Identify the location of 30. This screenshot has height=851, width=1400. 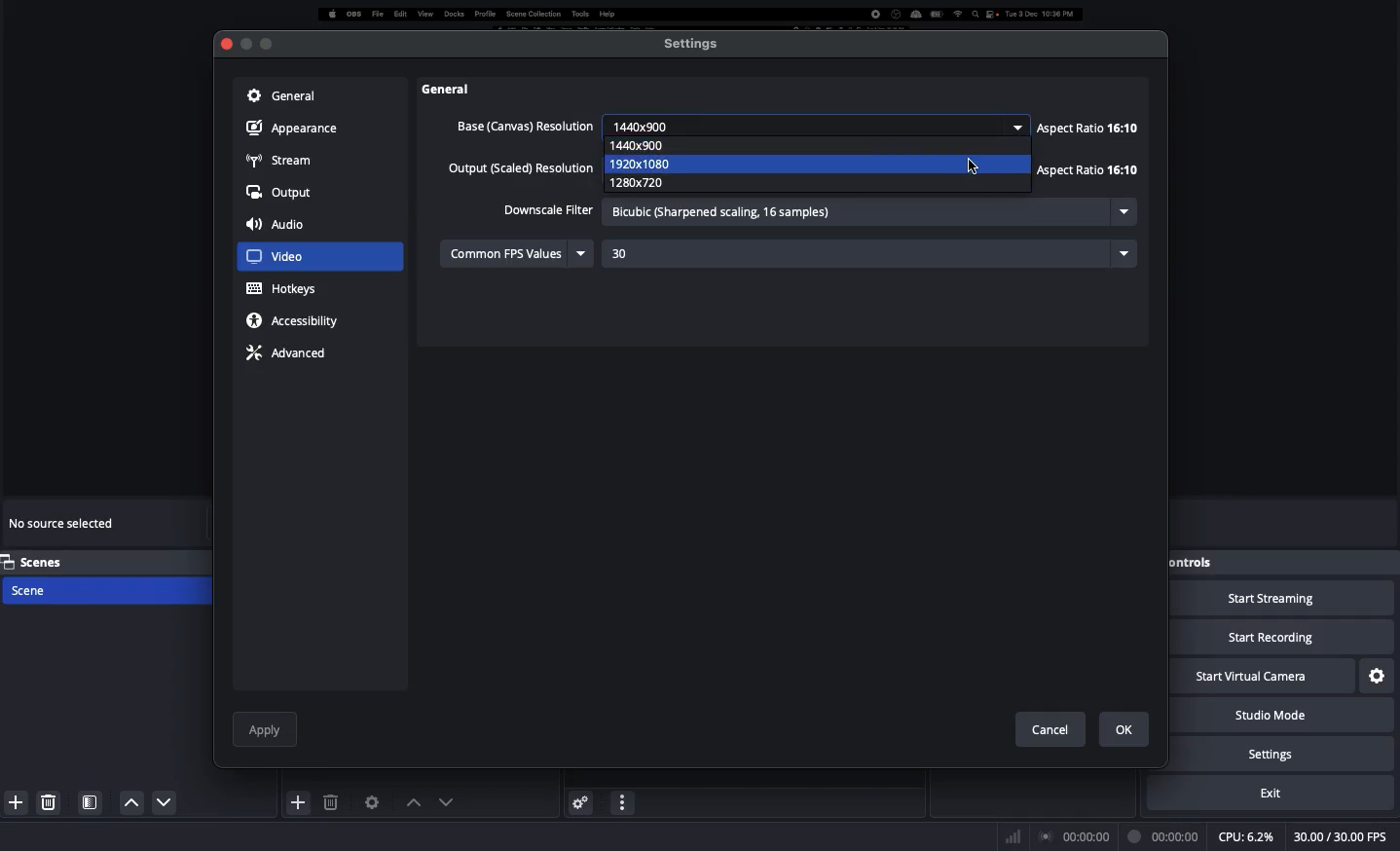
(869, 252).